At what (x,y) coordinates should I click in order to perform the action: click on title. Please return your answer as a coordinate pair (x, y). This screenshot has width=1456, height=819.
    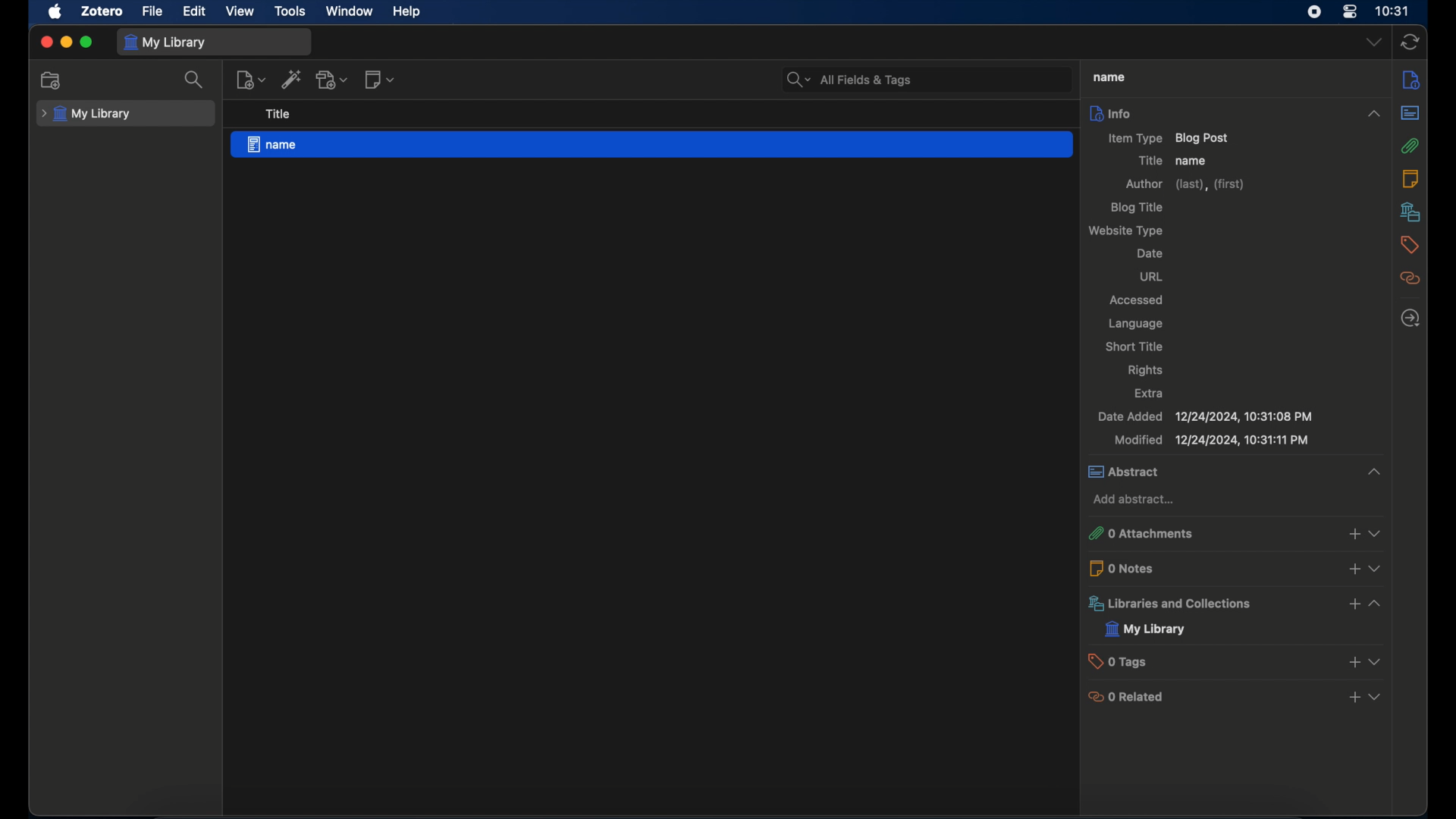
    Looking at the image, I should click on (1109, 77).